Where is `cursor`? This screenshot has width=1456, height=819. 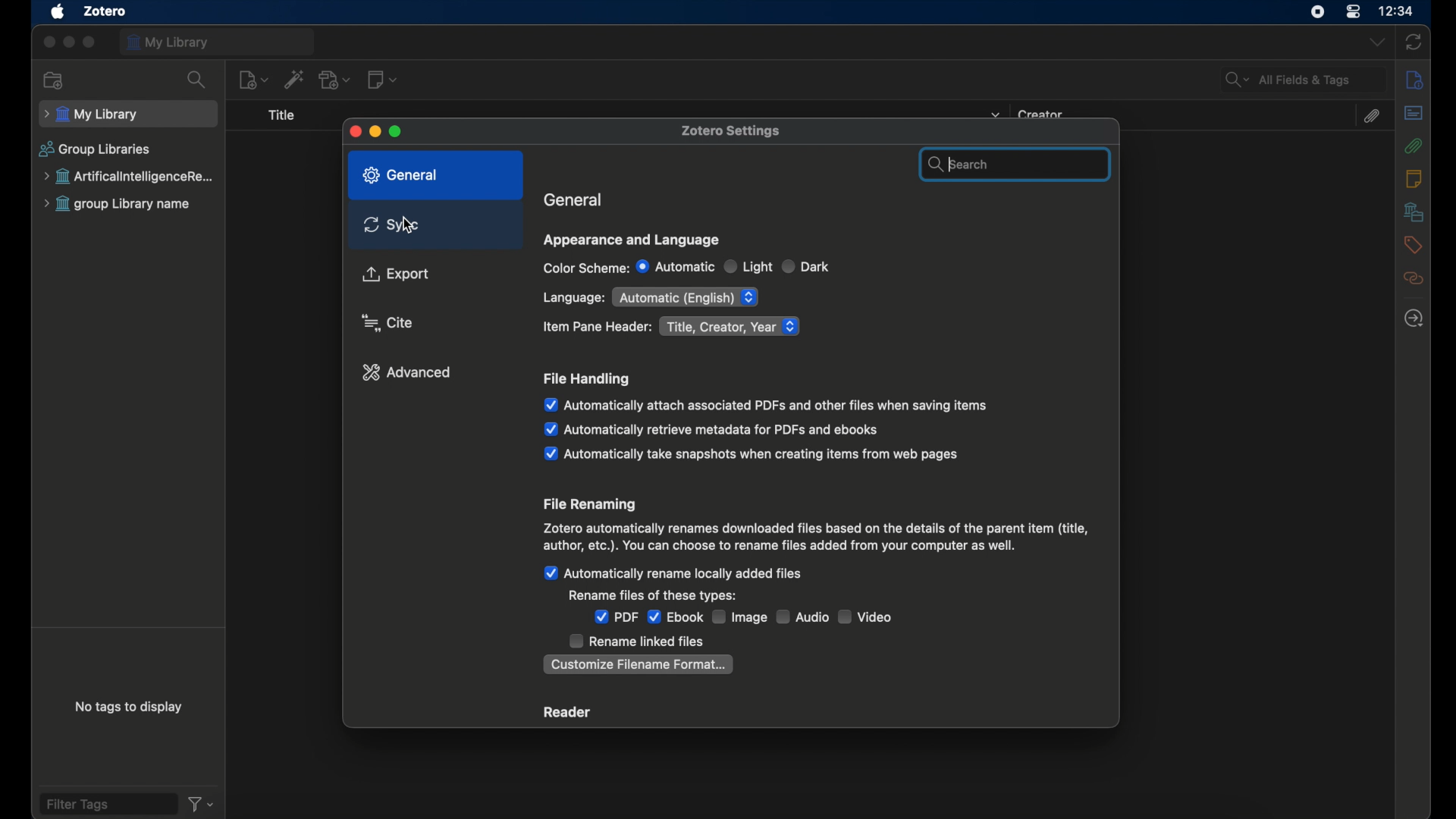
cursor is located at coordinates (406, 221).